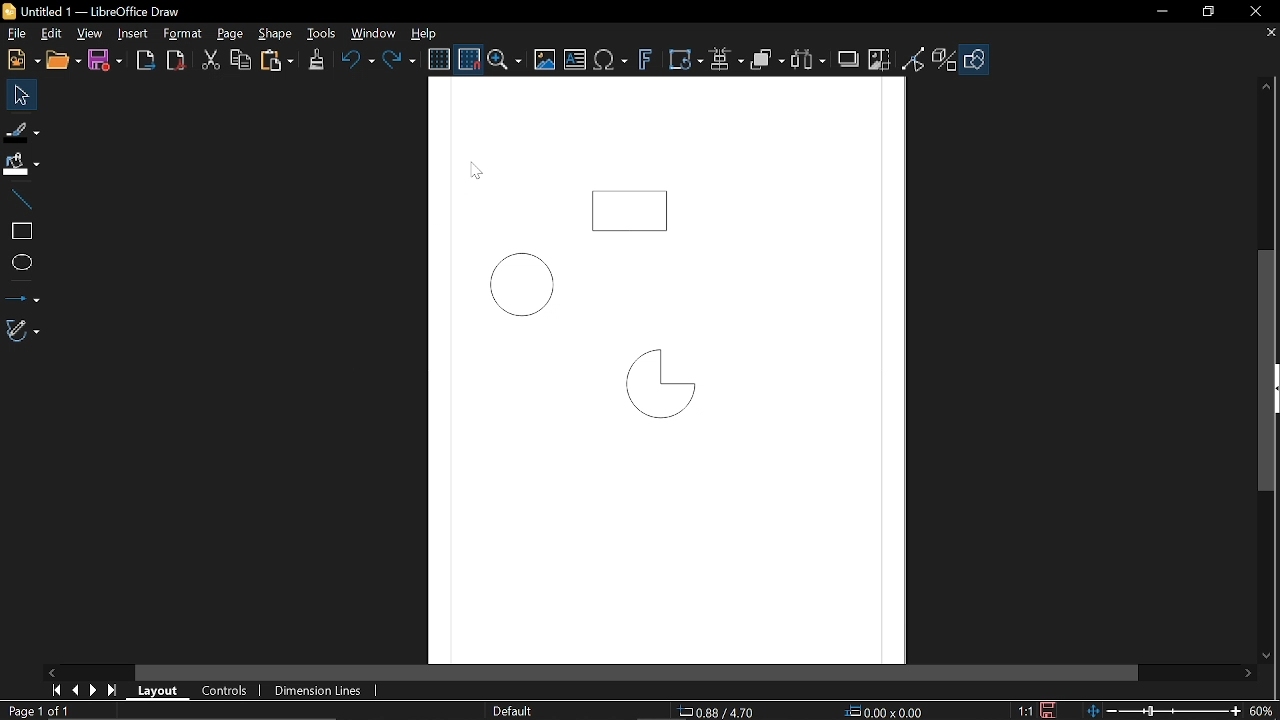 Image resolution: width=1280 pixels, height=720 pixels. I want to click on Restore down, so click(1208, 13).